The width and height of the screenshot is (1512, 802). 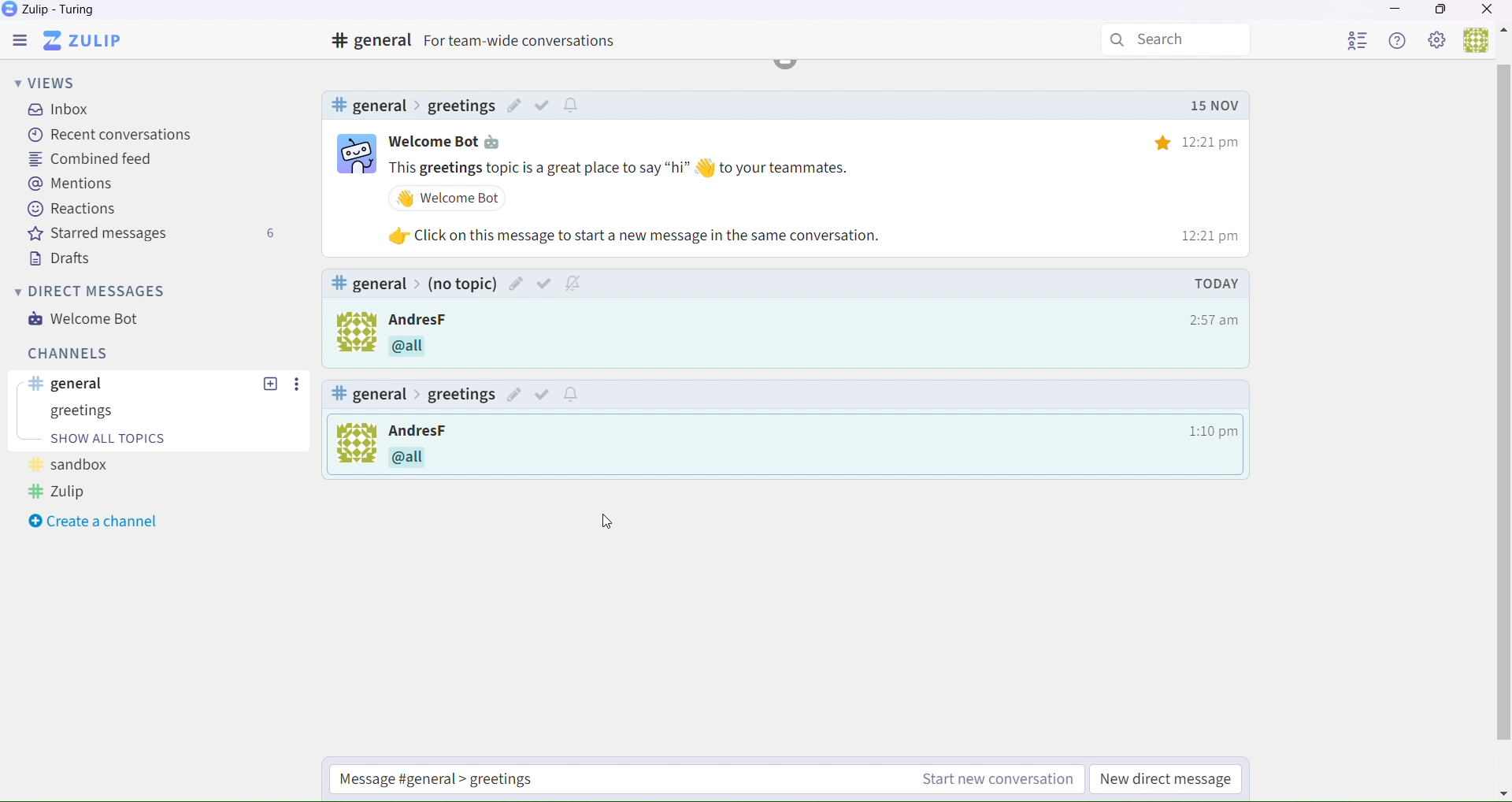 I want to click on Combined feed, so click(x=90, y=160).